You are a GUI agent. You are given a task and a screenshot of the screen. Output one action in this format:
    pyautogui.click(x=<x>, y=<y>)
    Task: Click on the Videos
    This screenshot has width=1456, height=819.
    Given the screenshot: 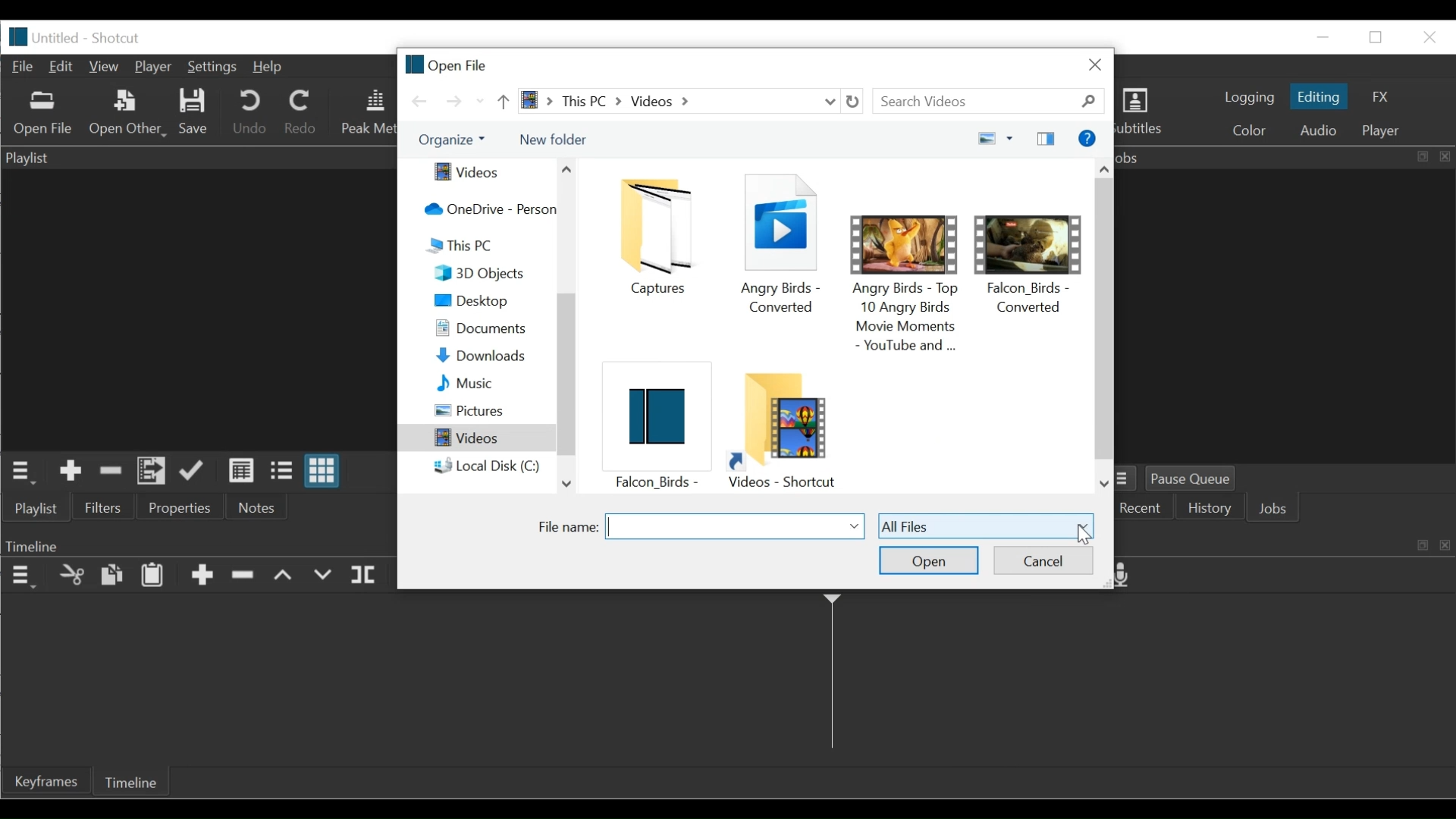 What is the action you would take?
    pyautogui.click(x=479, y=173)
    